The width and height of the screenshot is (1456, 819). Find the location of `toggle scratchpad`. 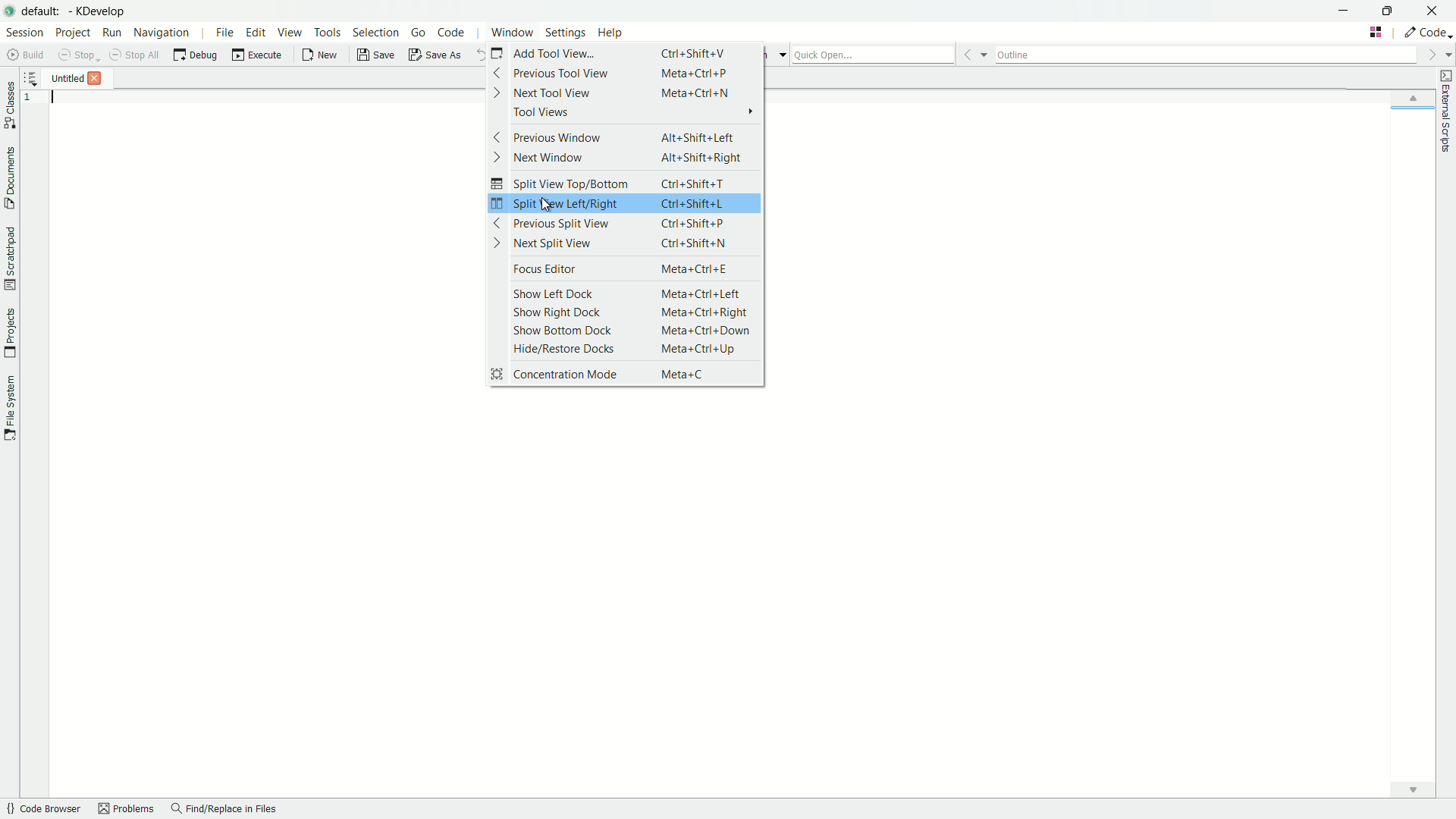

toggle scratchpad is located at coordinates (10, 259).